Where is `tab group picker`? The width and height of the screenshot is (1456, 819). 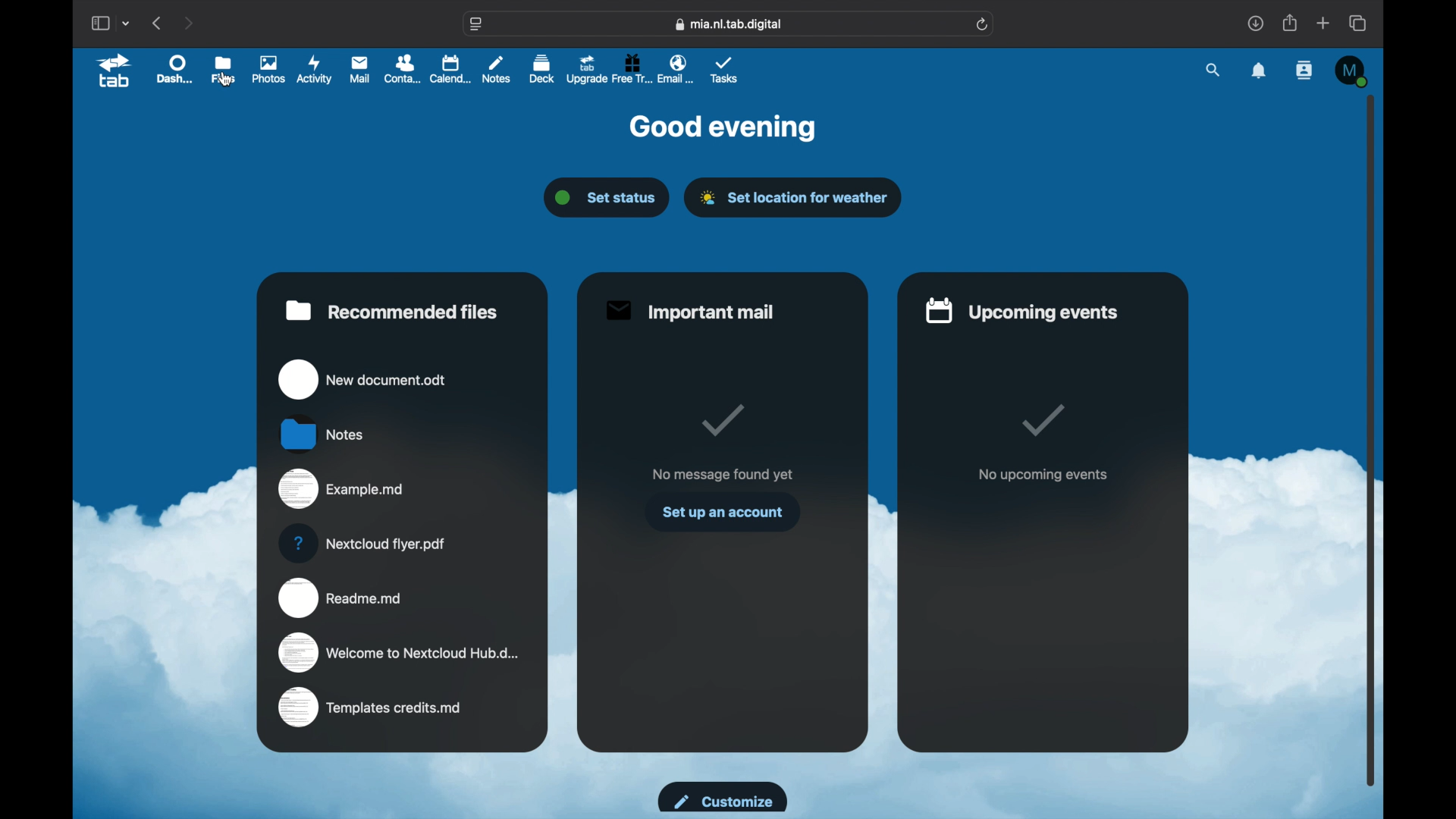 tab group picker is located at coordinates (126, 23).